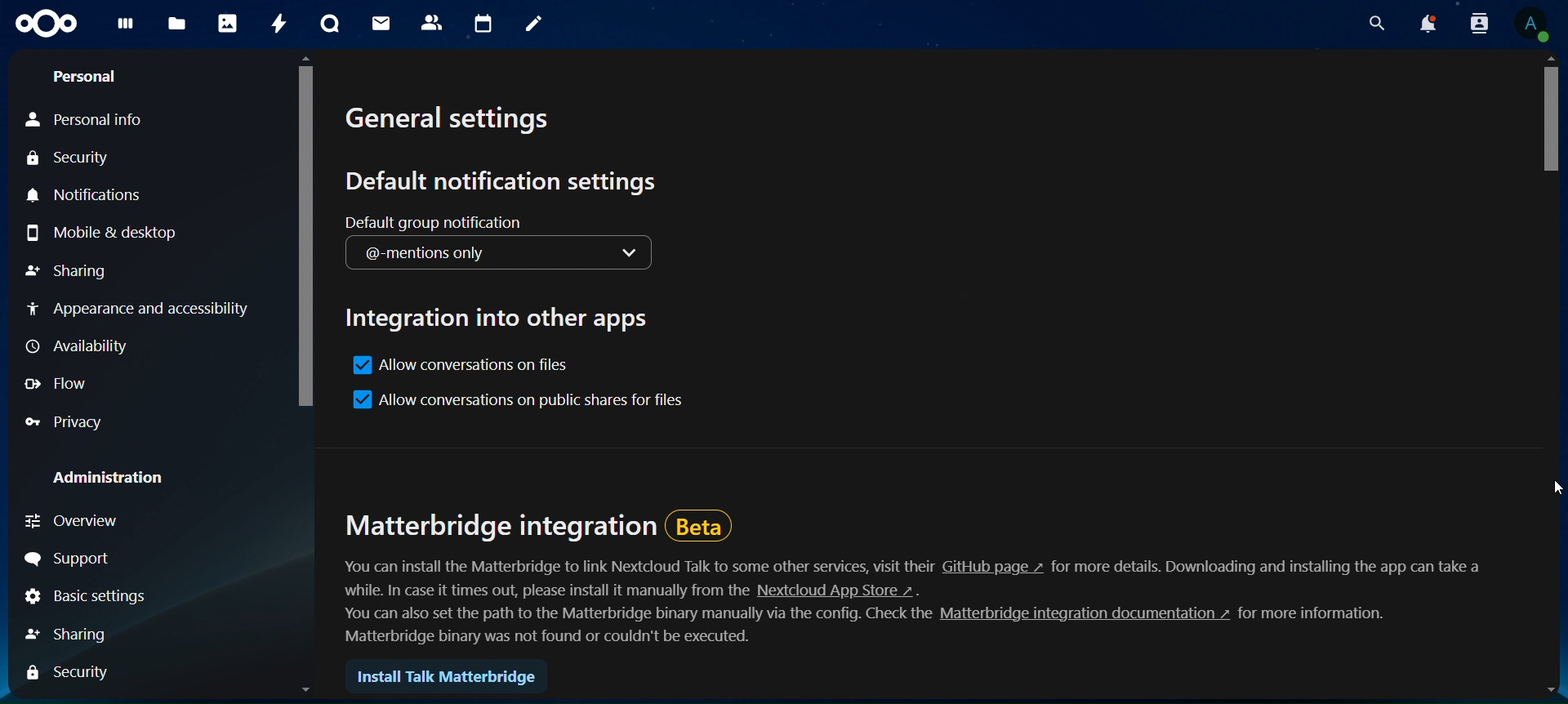  What do you see at coordinates (486, 25) in the screenshot?
I see `calendar` at bounding box center [486, 25].